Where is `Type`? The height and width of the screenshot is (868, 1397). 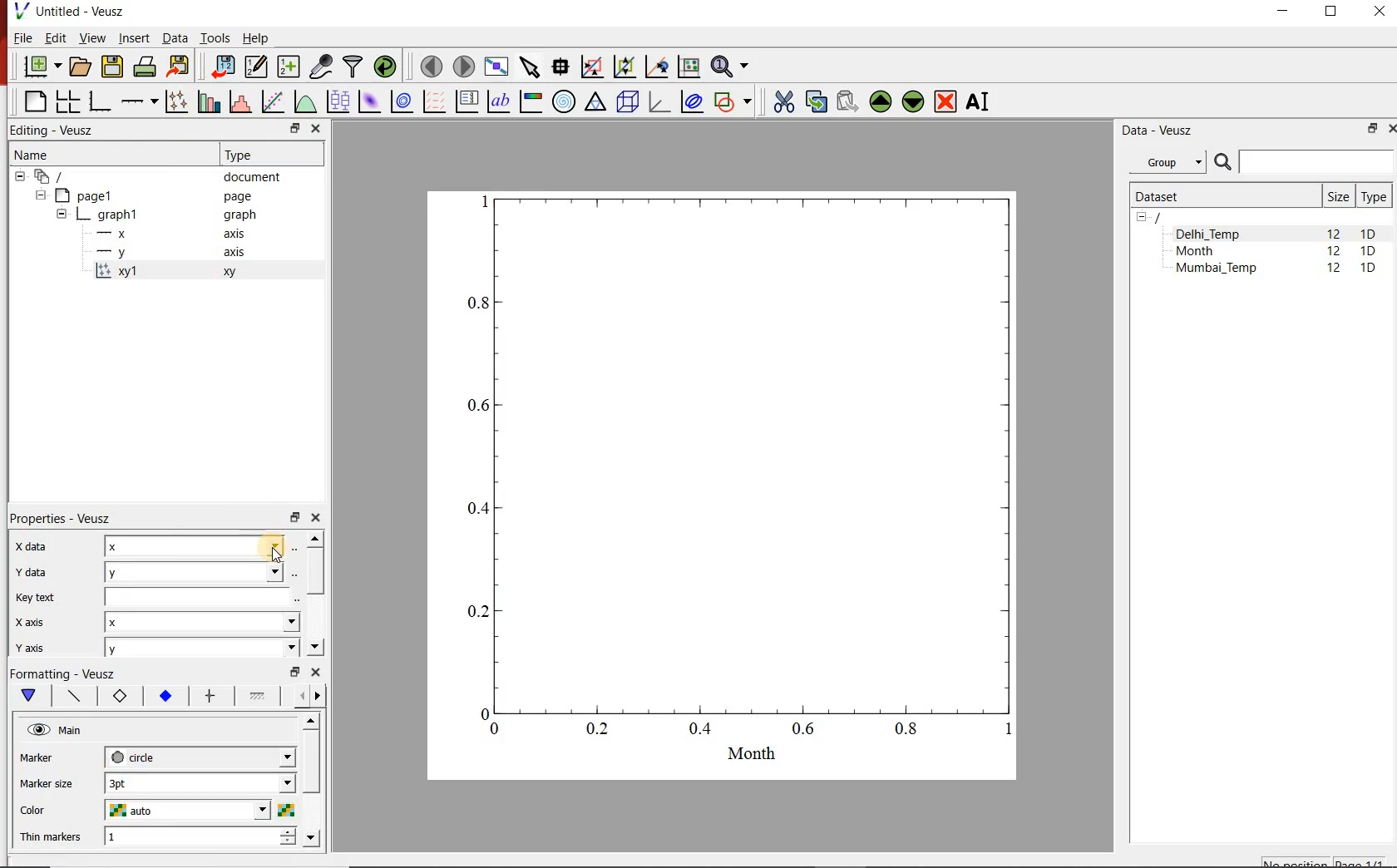 Type is located at coordinates (1374, 196).